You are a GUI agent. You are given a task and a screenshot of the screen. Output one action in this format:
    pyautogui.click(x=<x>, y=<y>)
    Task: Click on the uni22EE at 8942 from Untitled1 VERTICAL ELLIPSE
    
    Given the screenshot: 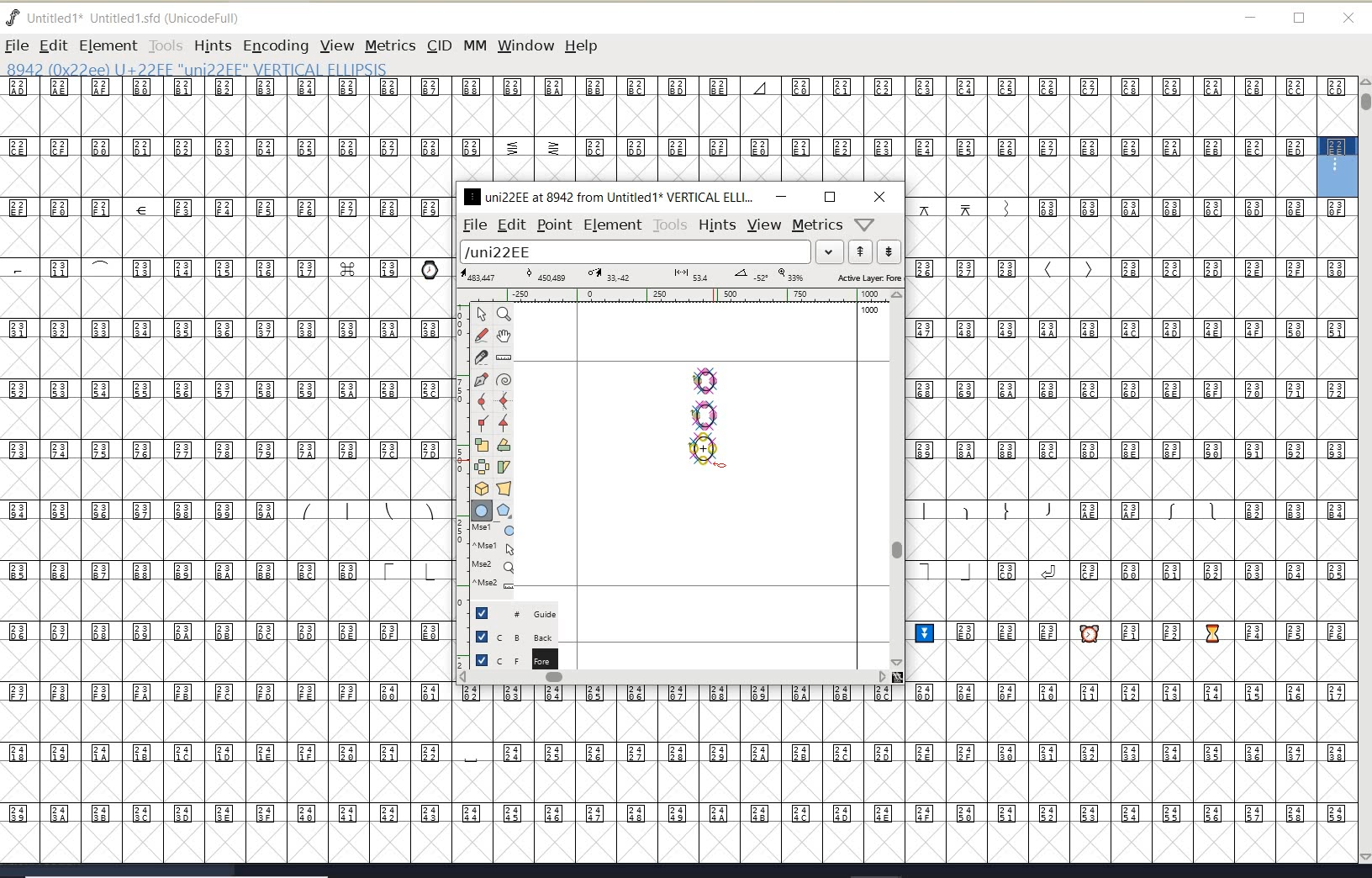 What is the action you would take?
    pyautogui.click(x=609, y=196)
    